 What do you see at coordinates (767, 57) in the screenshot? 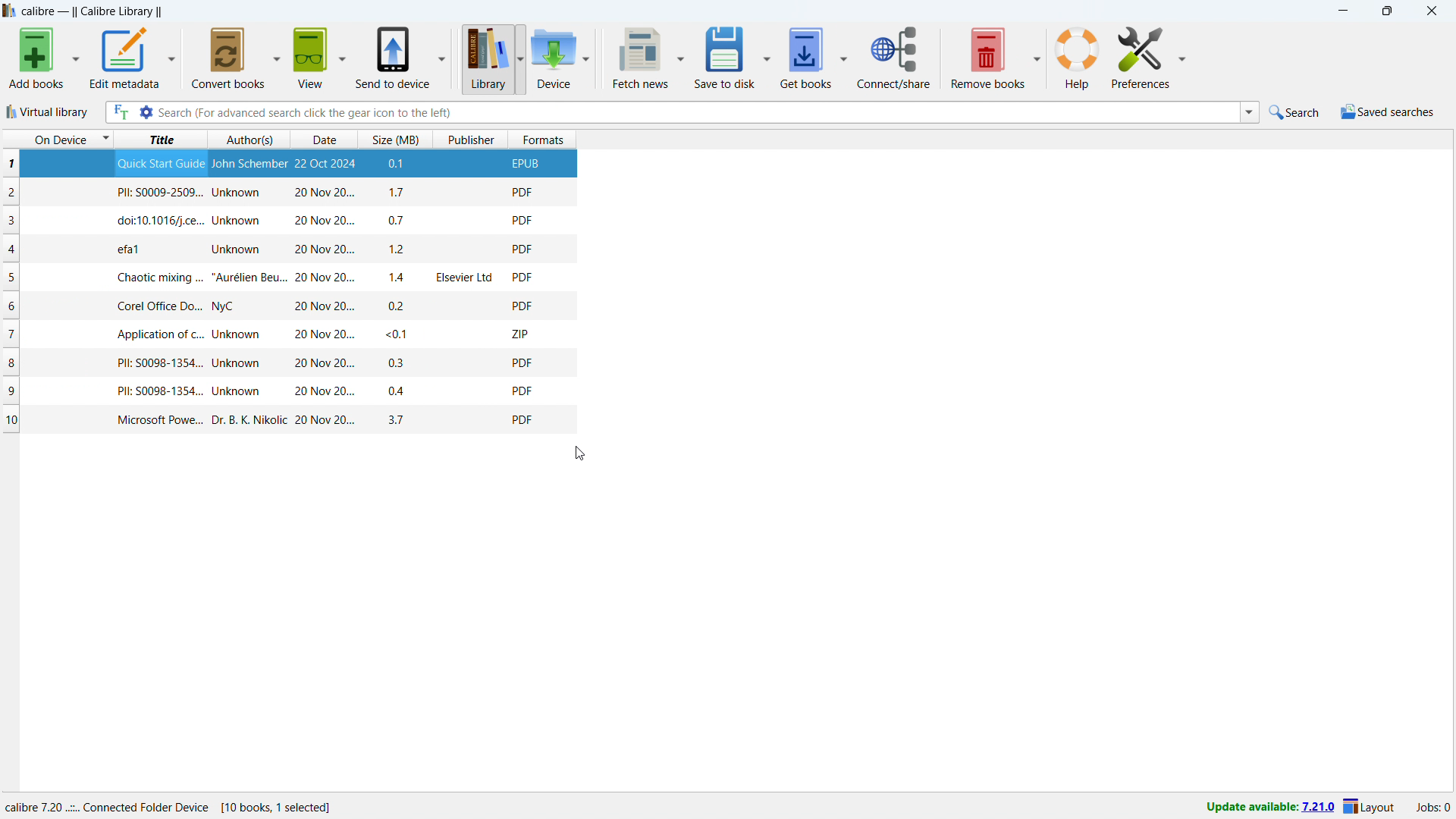
I see ` save to disk options` at bounding box center [767, 57].